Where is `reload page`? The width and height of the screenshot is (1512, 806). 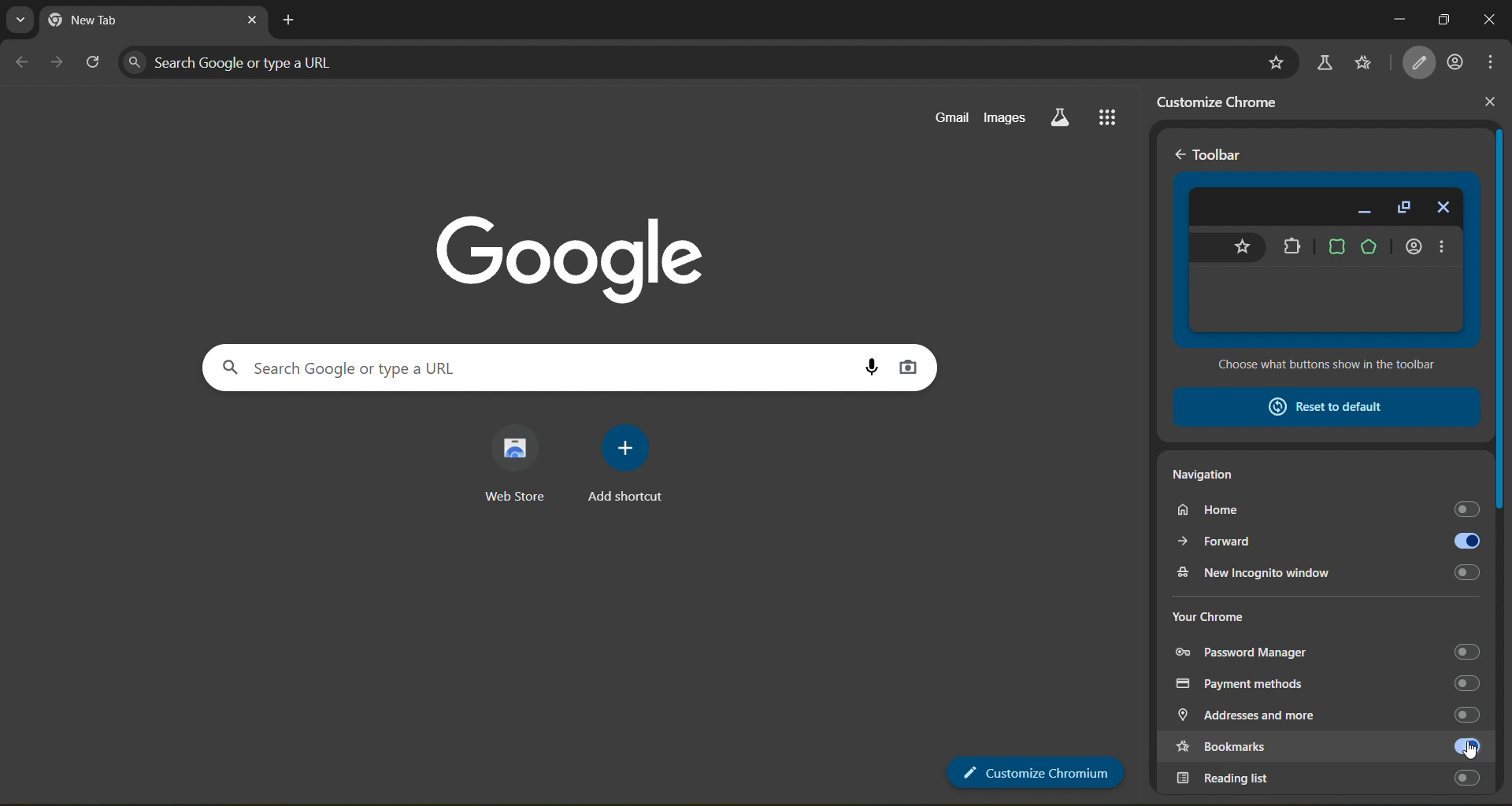 reload page is located at coordinates (93, 59).